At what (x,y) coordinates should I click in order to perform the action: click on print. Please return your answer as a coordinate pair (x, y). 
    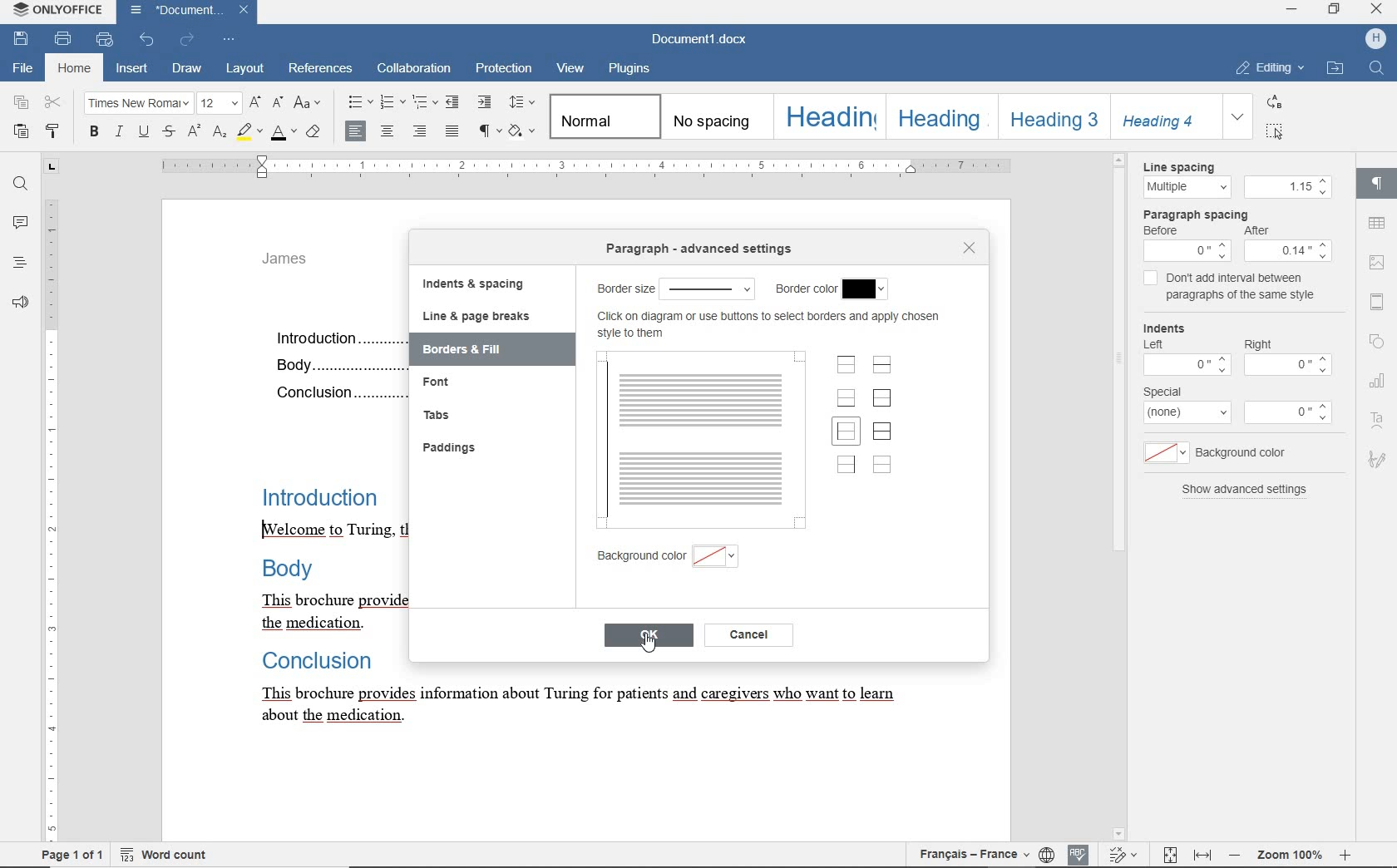
    Looking at the image, I should click on (64, 39).